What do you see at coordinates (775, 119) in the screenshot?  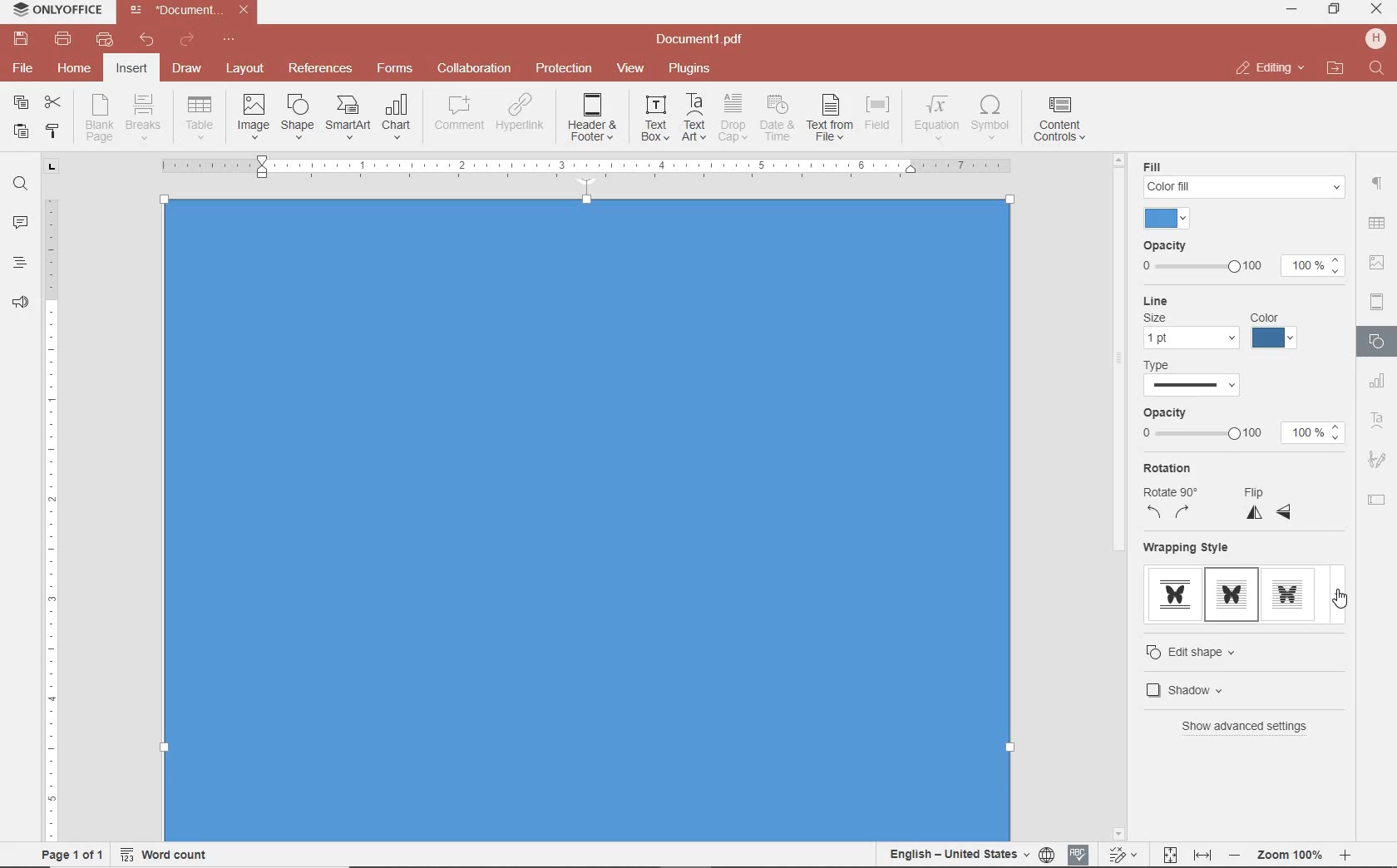 I see `INSERT CURRENT DATE AND TIME` at bounding box center [775, 119].